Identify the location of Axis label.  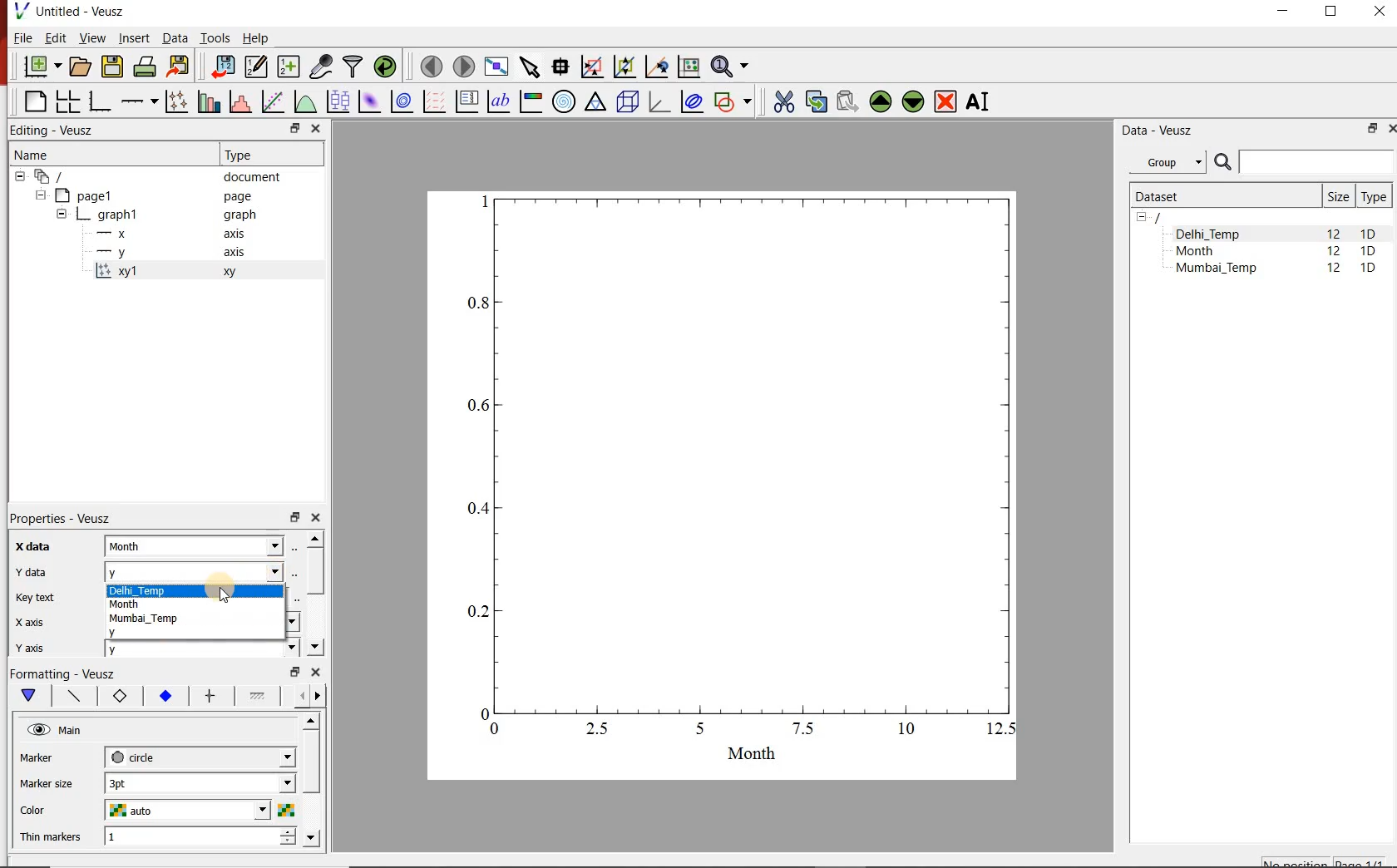
(116, 696).